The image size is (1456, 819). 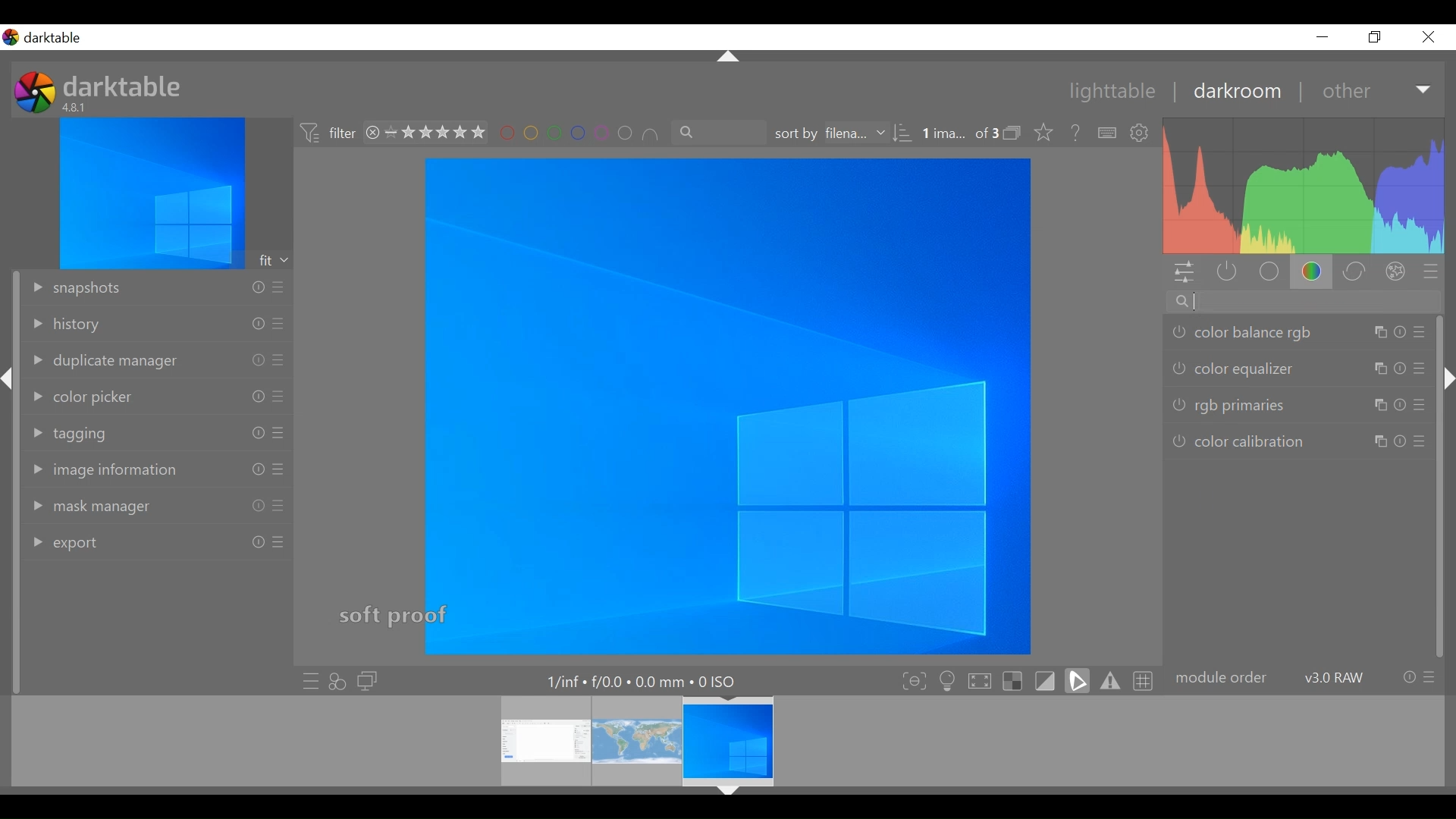 I want to click on export, so click(x=63, y=544).